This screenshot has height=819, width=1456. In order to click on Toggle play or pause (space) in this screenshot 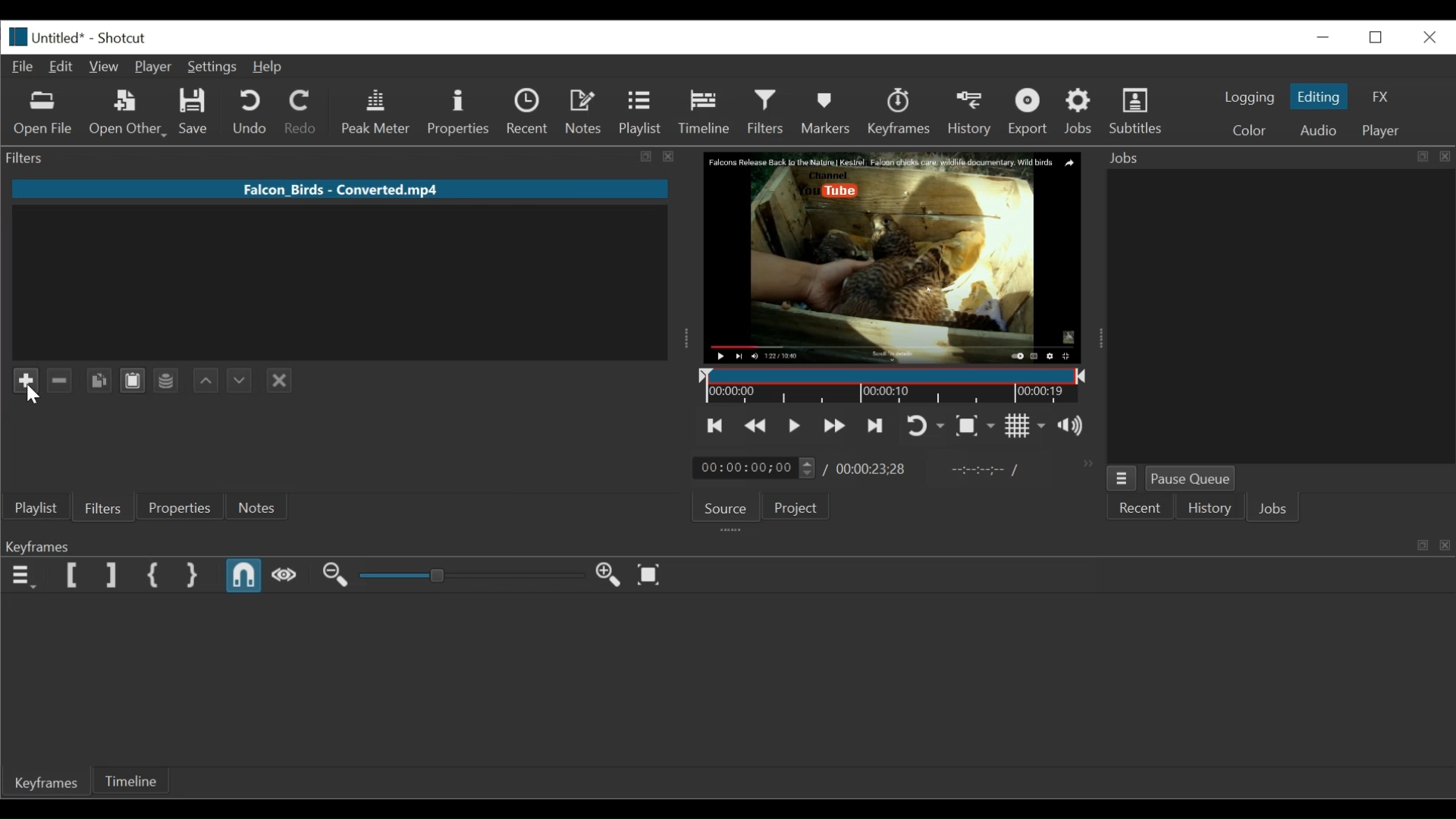, I will do `click(794, 425)`.